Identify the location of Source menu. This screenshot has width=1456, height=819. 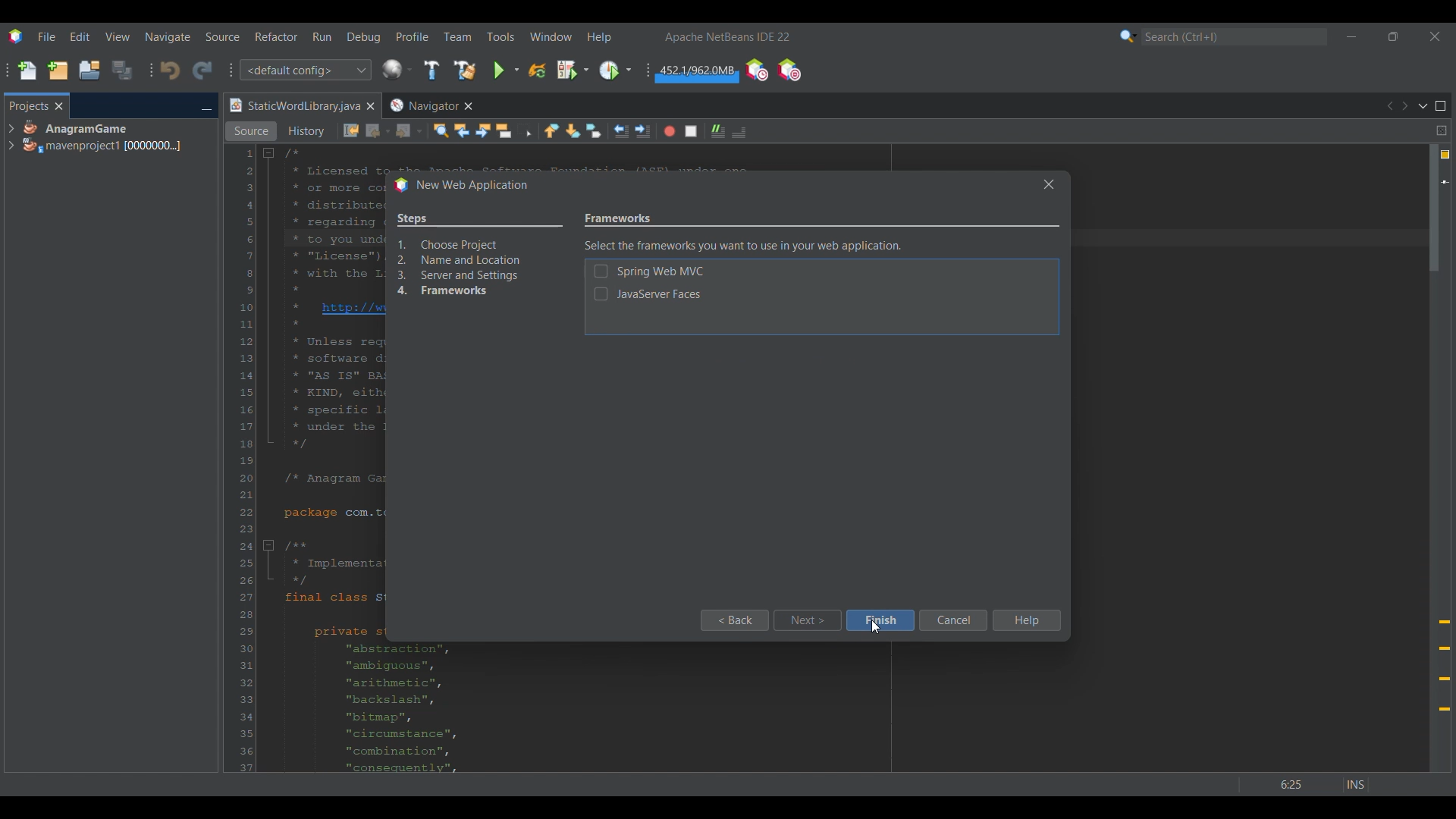
(223, 36).